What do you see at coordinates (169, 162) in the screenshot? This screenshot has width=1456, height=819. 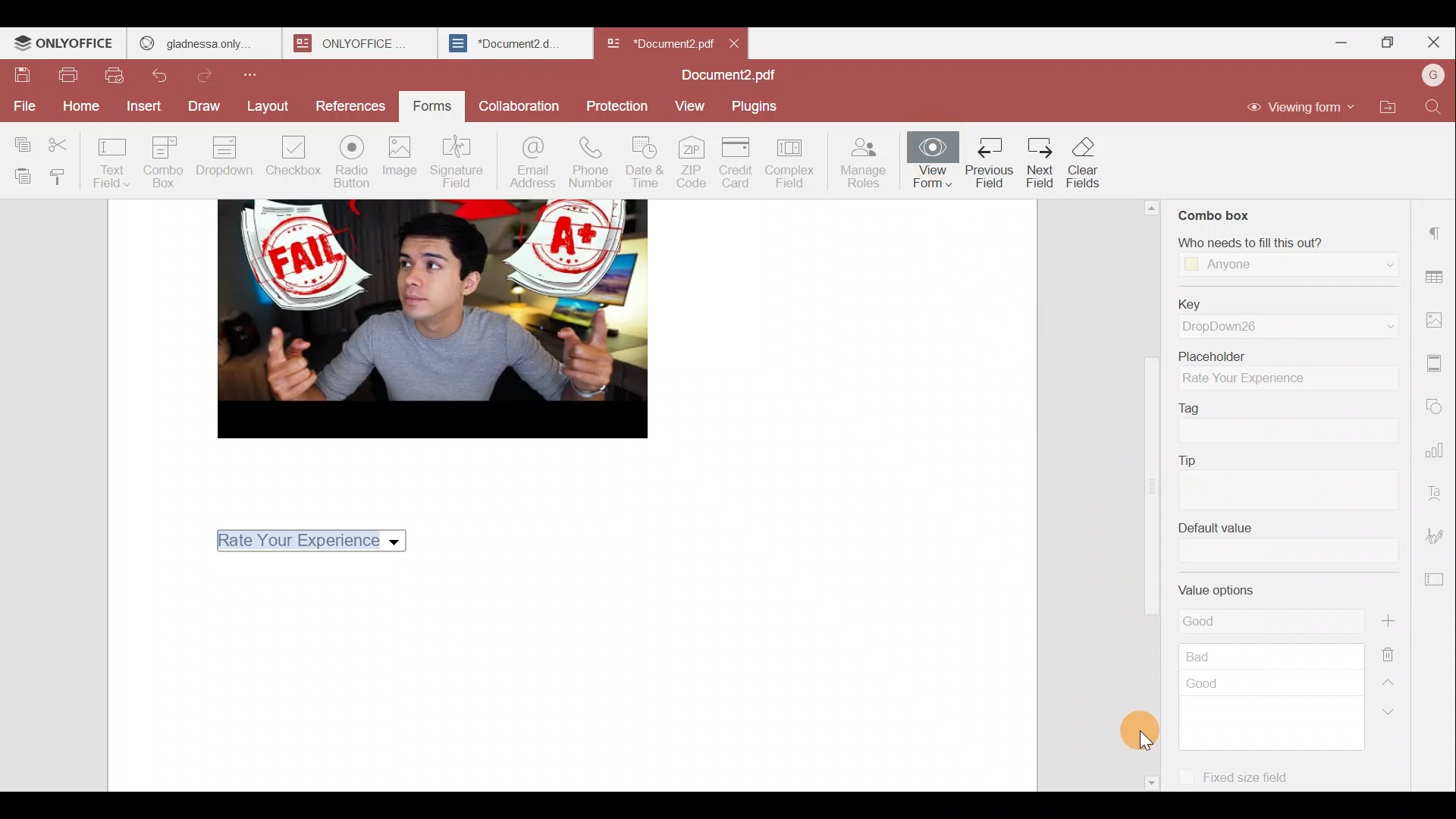 I see `Combo box` at bounding box center [169, 162].